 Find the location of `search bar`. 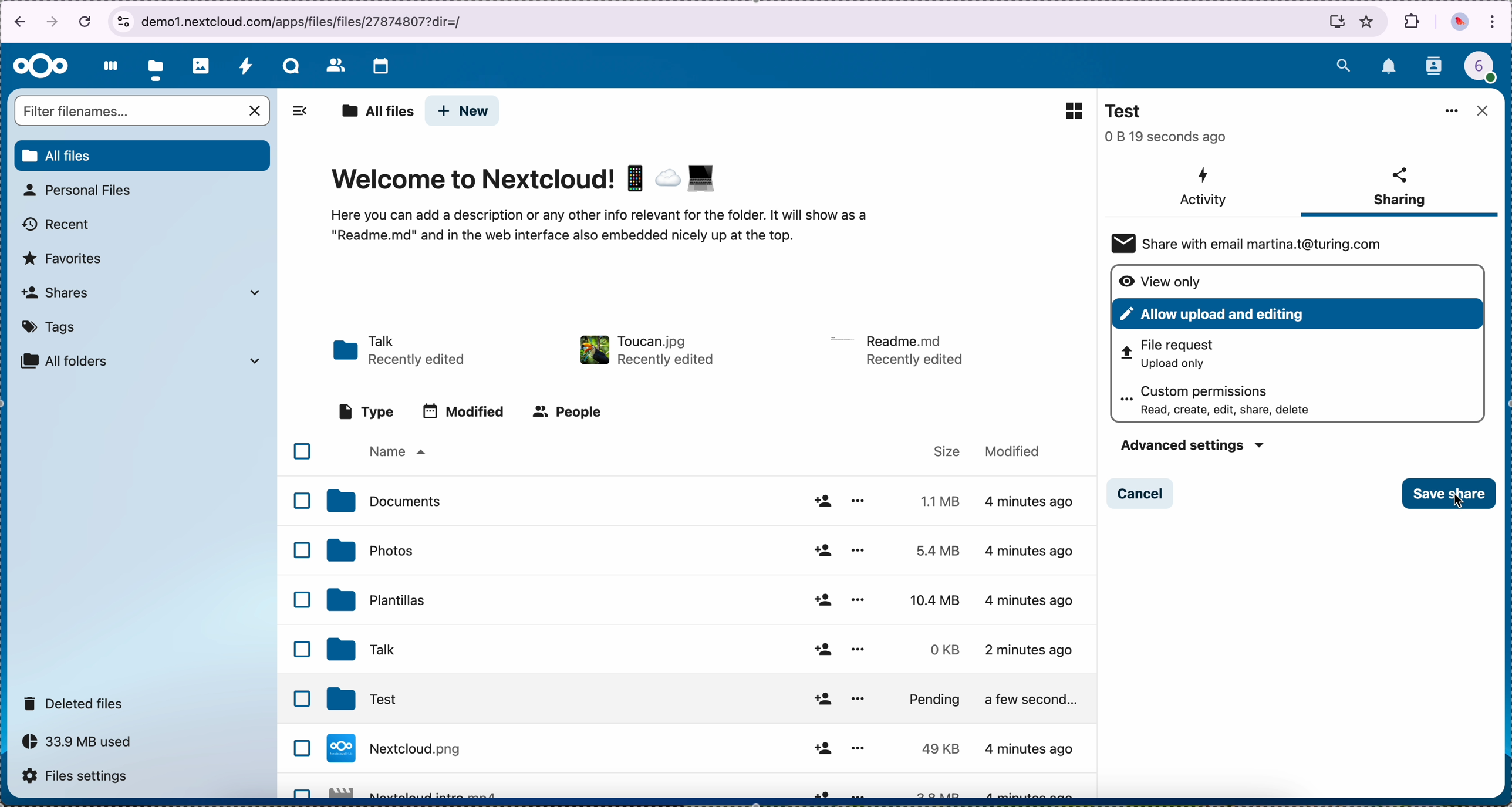

search bar is located at coordinates (144, 112).